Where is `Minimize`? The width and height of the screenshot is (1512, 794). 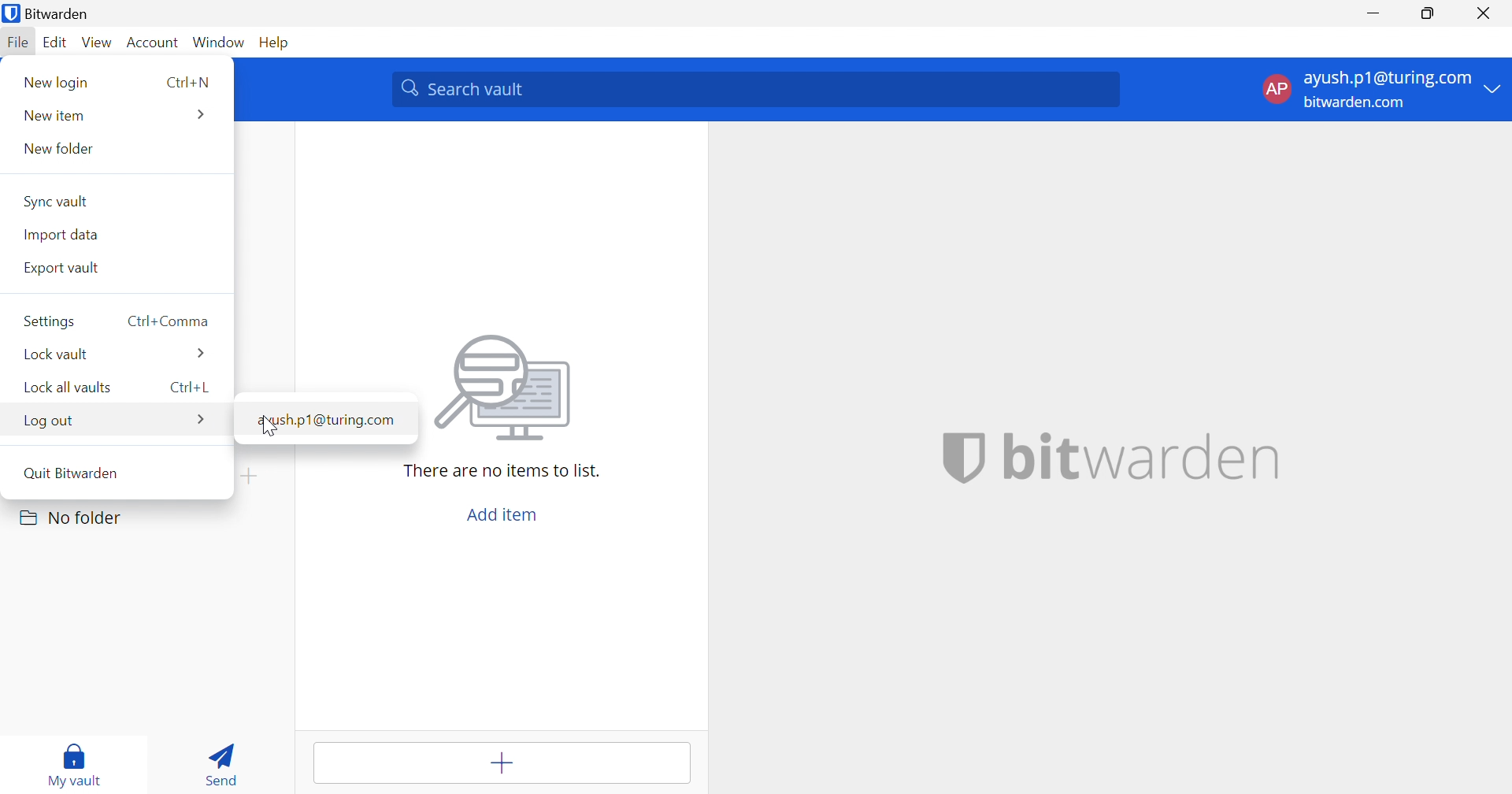 Minimize is located at coordinates (1377, 13).